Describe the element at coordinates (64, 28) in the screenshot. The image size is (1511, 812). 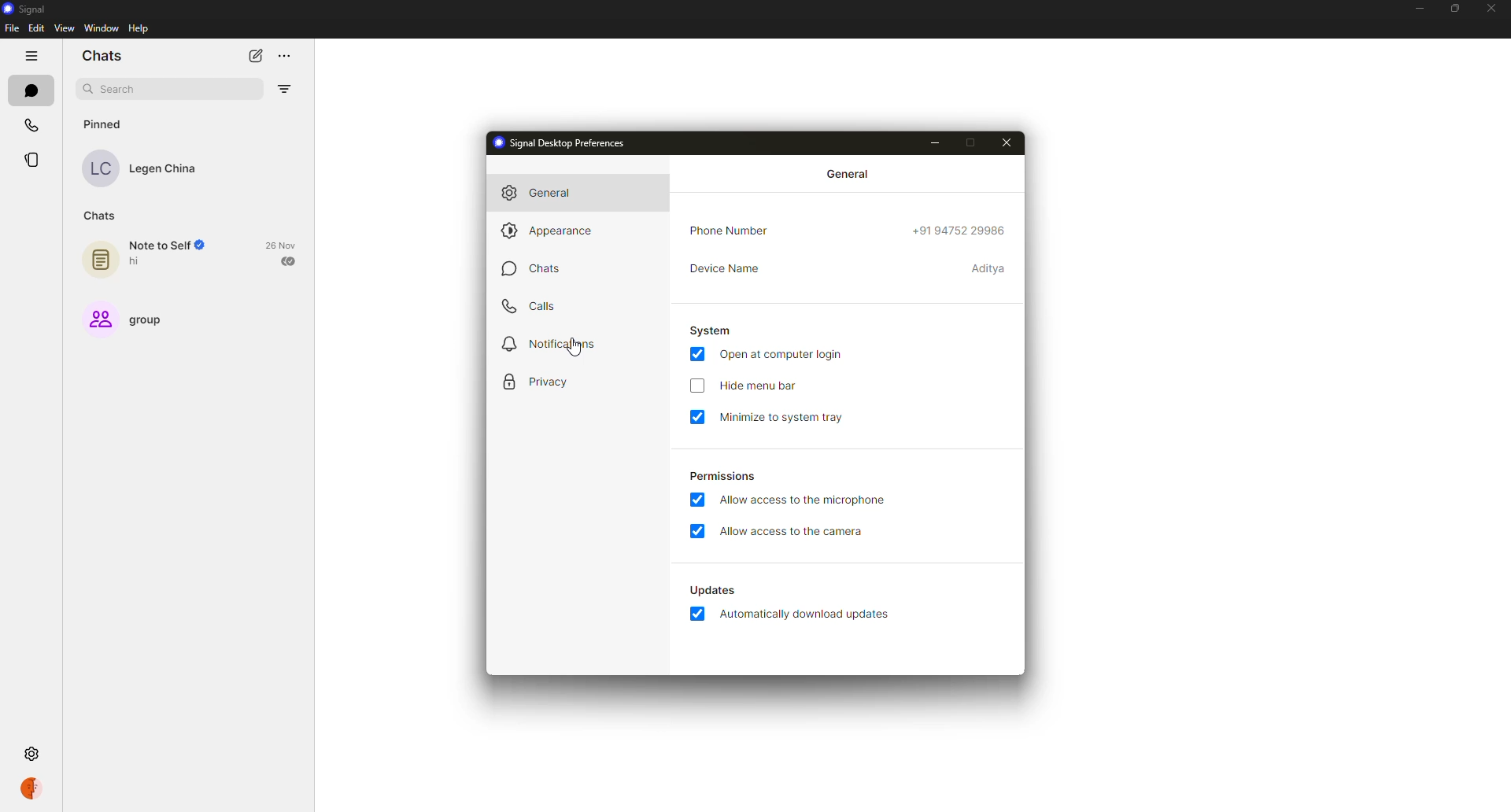
I see `view` at that location.